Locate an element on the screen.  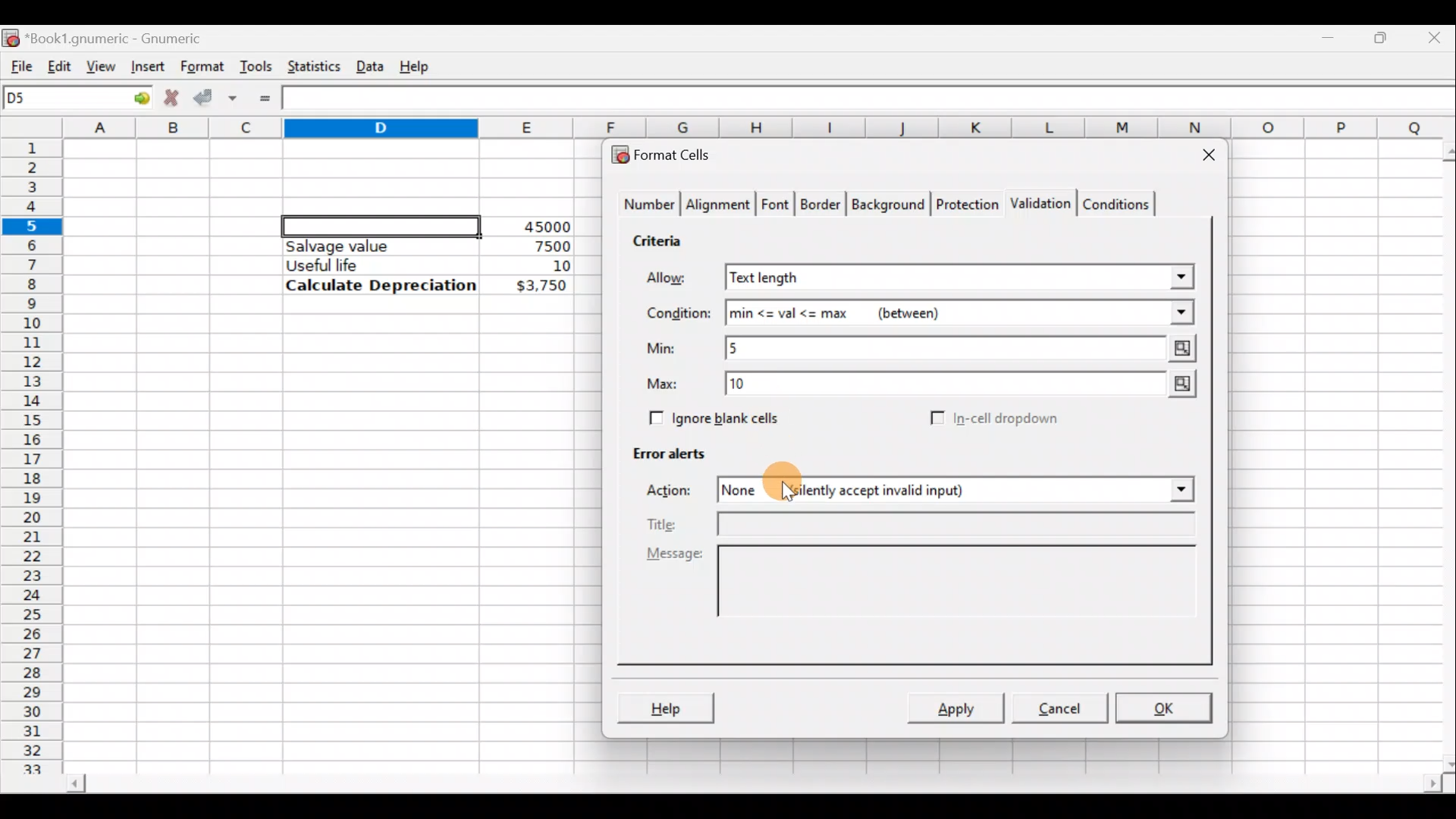
Cursor on action is located at coordinates (780, 482).